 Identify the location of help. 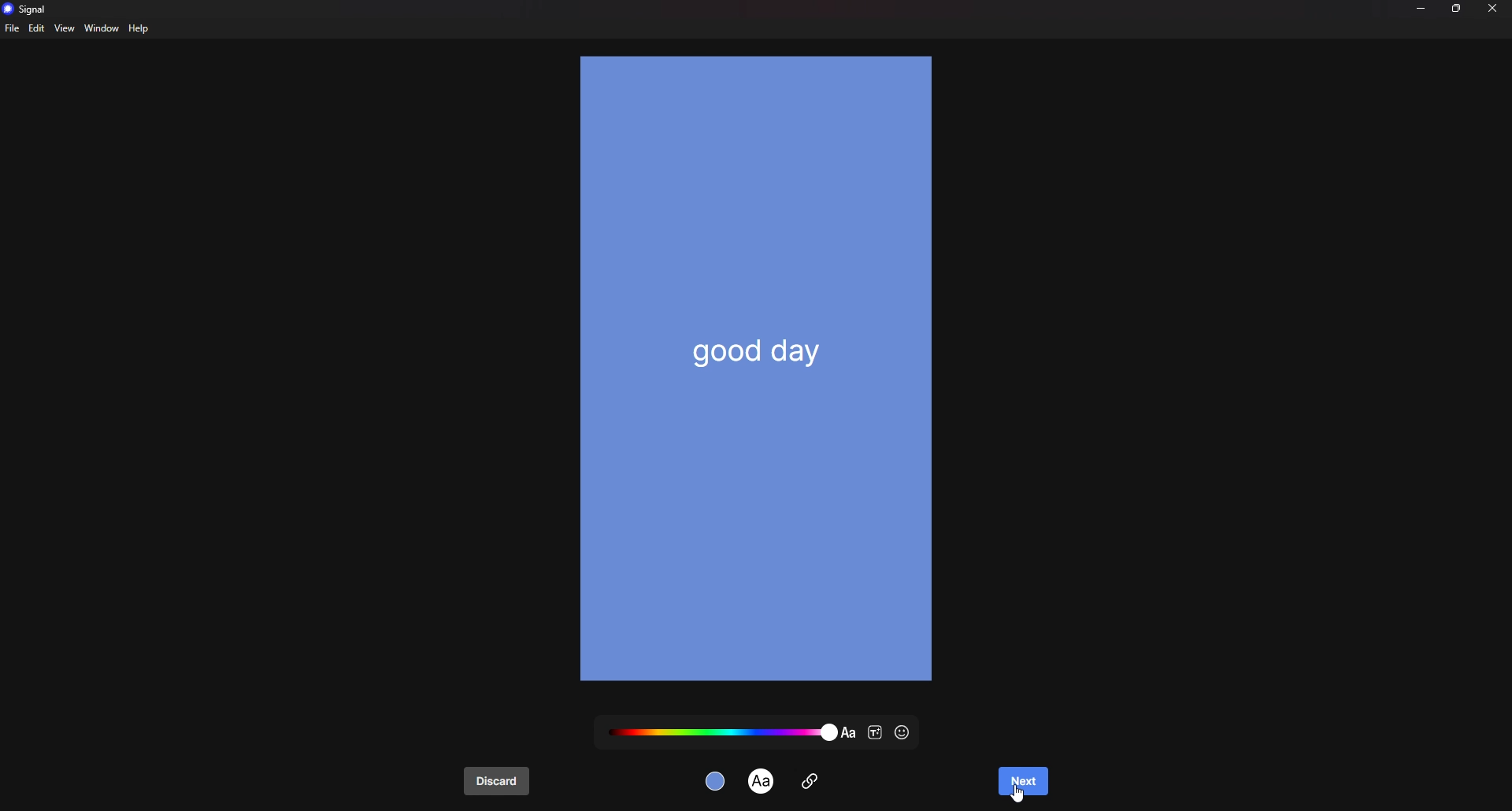
(140, 28).